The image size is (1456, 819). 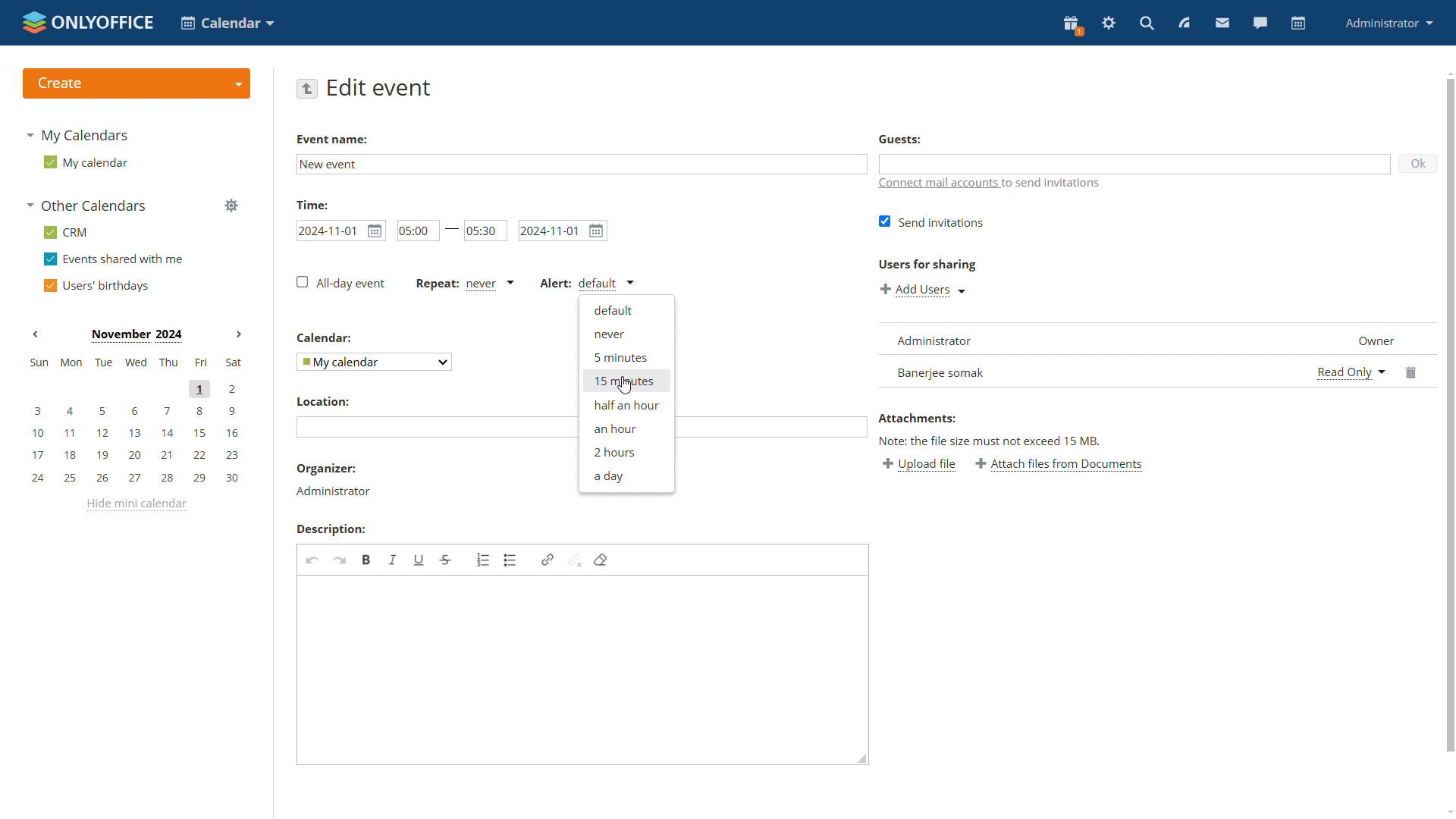 I want to click on Location, so click(x=322, y=402).